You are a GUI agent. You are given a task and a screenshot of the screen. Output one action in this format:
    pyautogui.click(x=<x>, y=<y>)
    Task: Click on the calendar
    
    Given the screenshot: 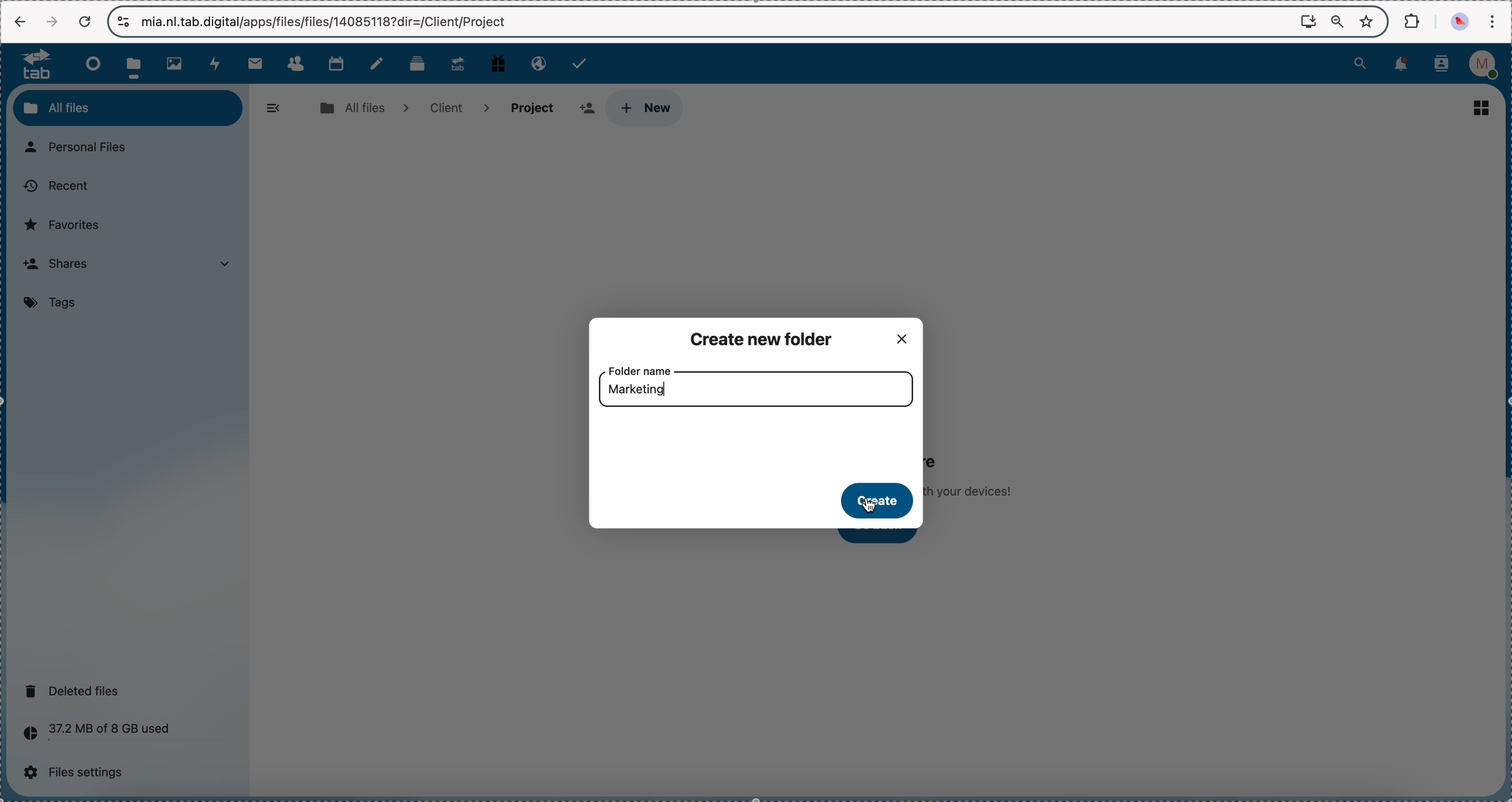 What is the action you would take?
    pyautogui.click(x=336, y=62)
    